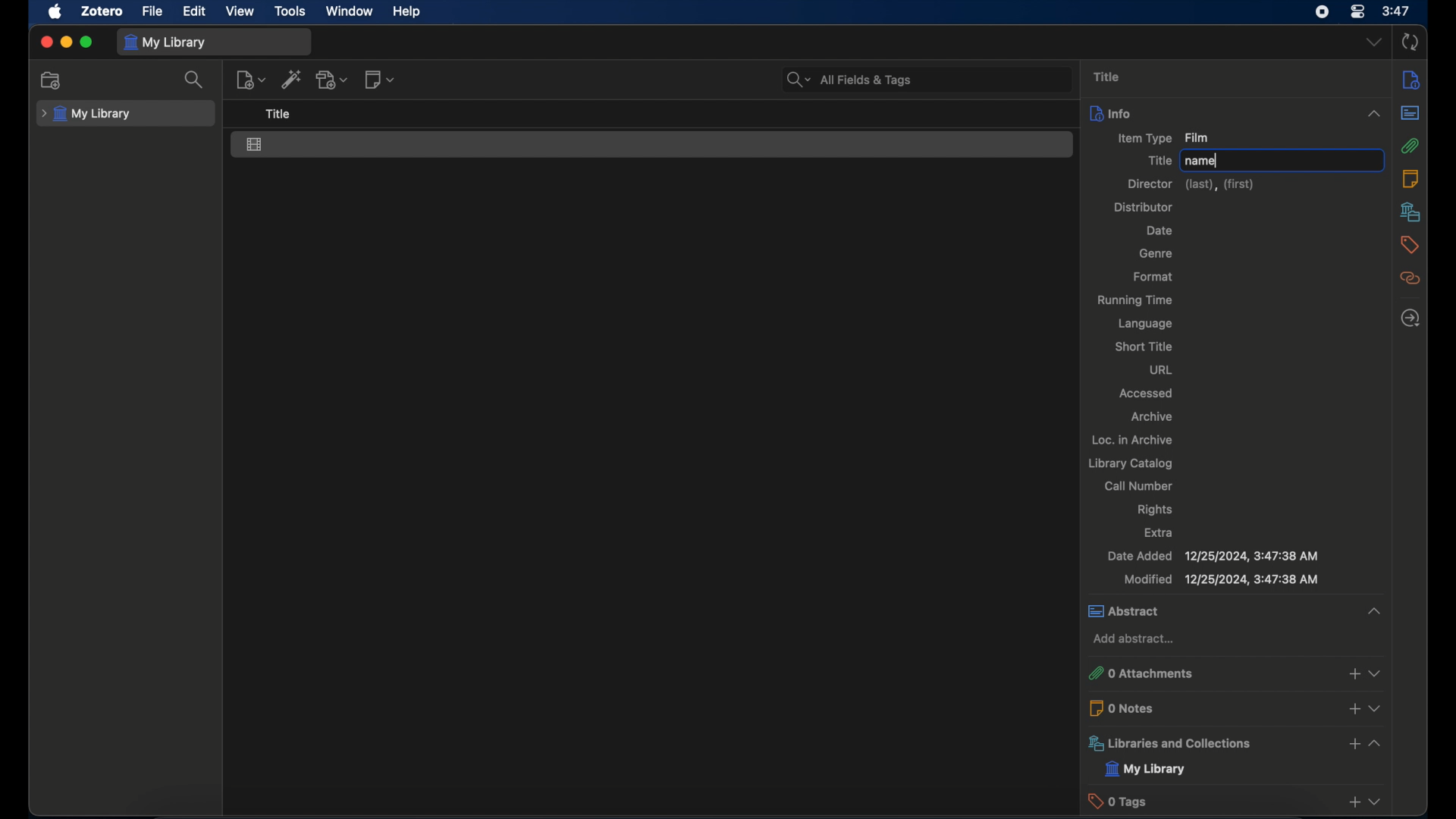 The width and height of the screenshot is (1456, 819). Describe the element at coordinates (1210, 555) in the screenshot. I see `date added` at that location.